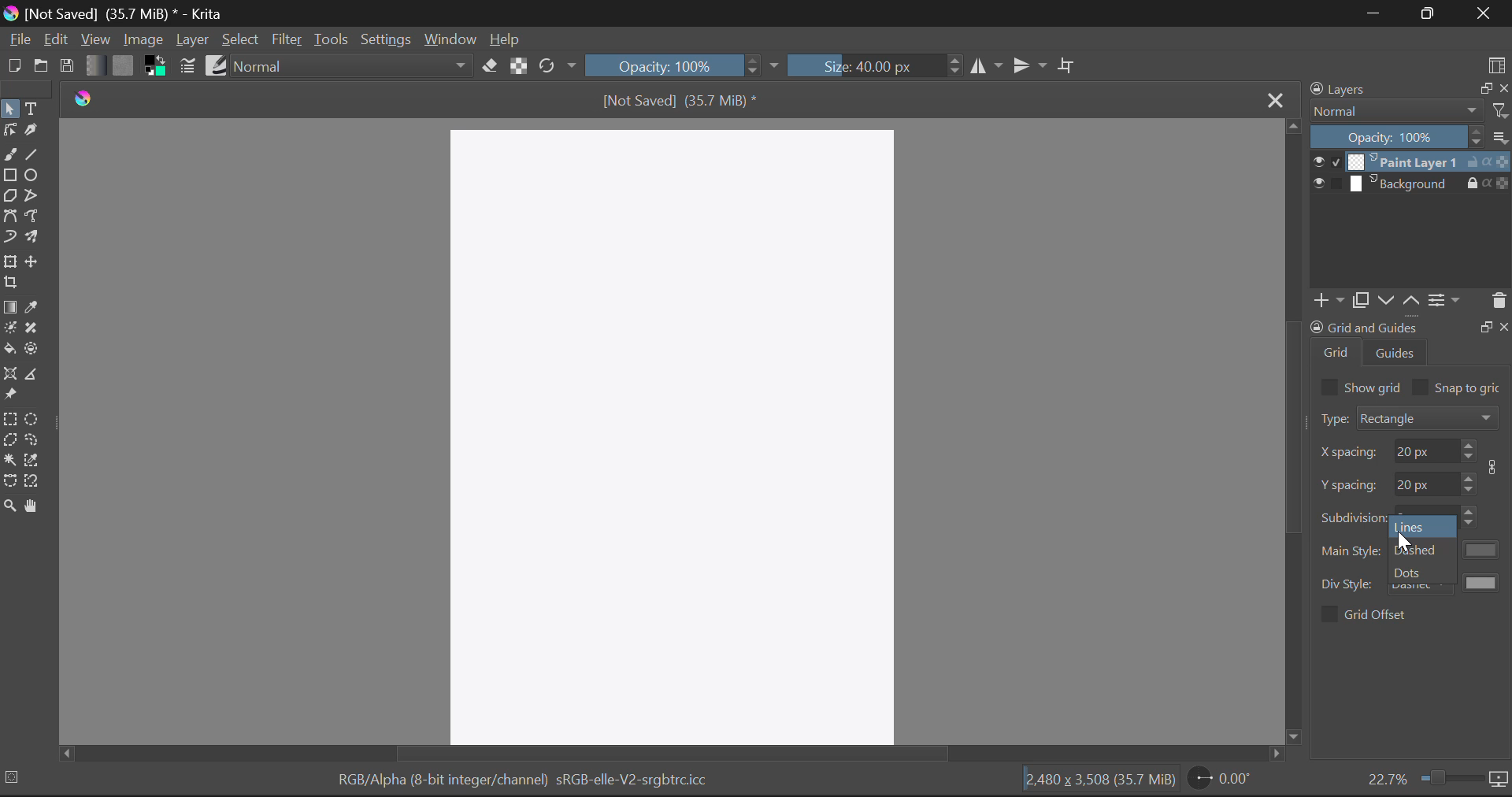 The width and height of the screenshot is (1512, 797). What do you see at coordinates (1350, 453) in the screenshot?
I see `spacing x` at bounding box center [1350, 453].